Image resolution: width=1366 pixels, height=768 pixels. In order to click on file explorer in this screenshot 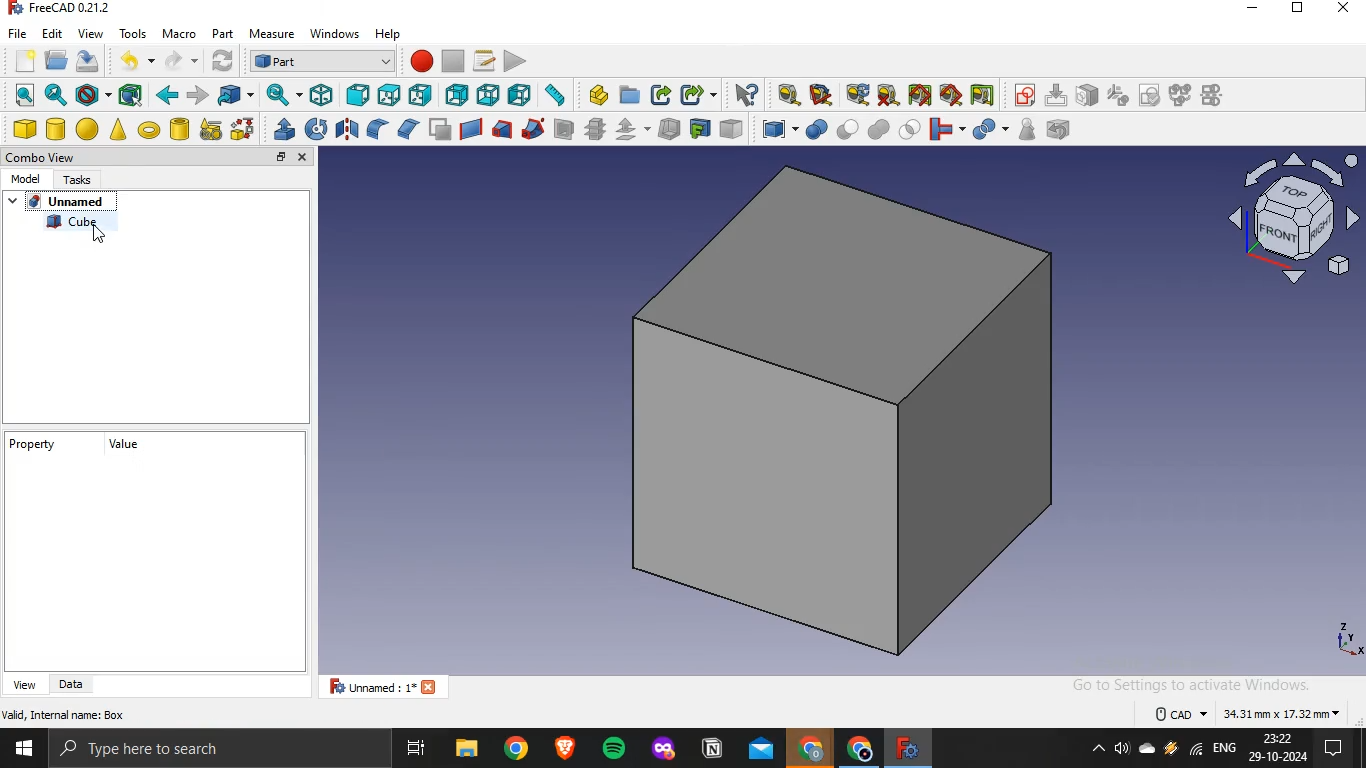, I will do `click(466, 749)`.